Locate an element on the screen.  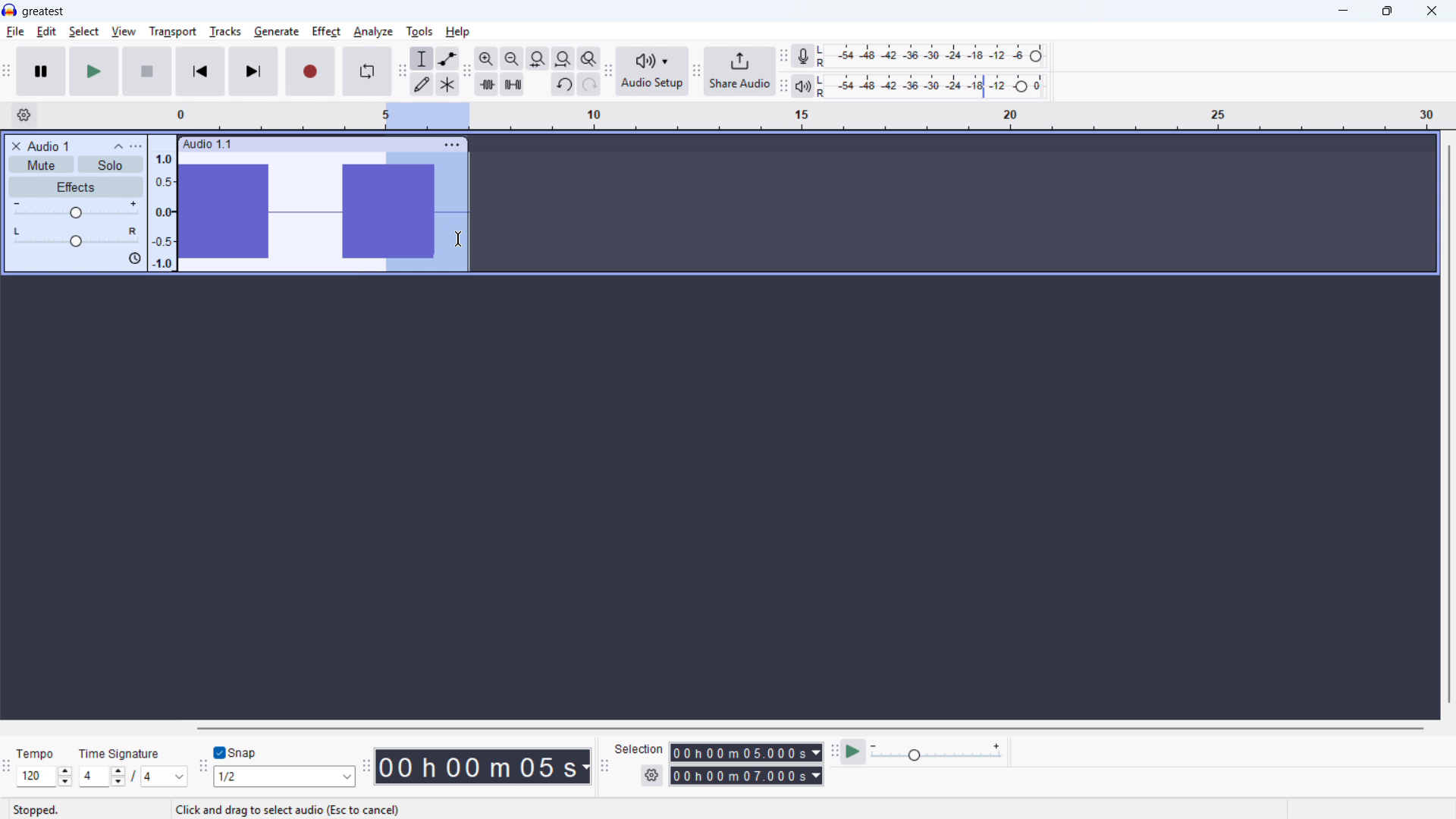
Selection settings  is located at coordinates (653, 775).